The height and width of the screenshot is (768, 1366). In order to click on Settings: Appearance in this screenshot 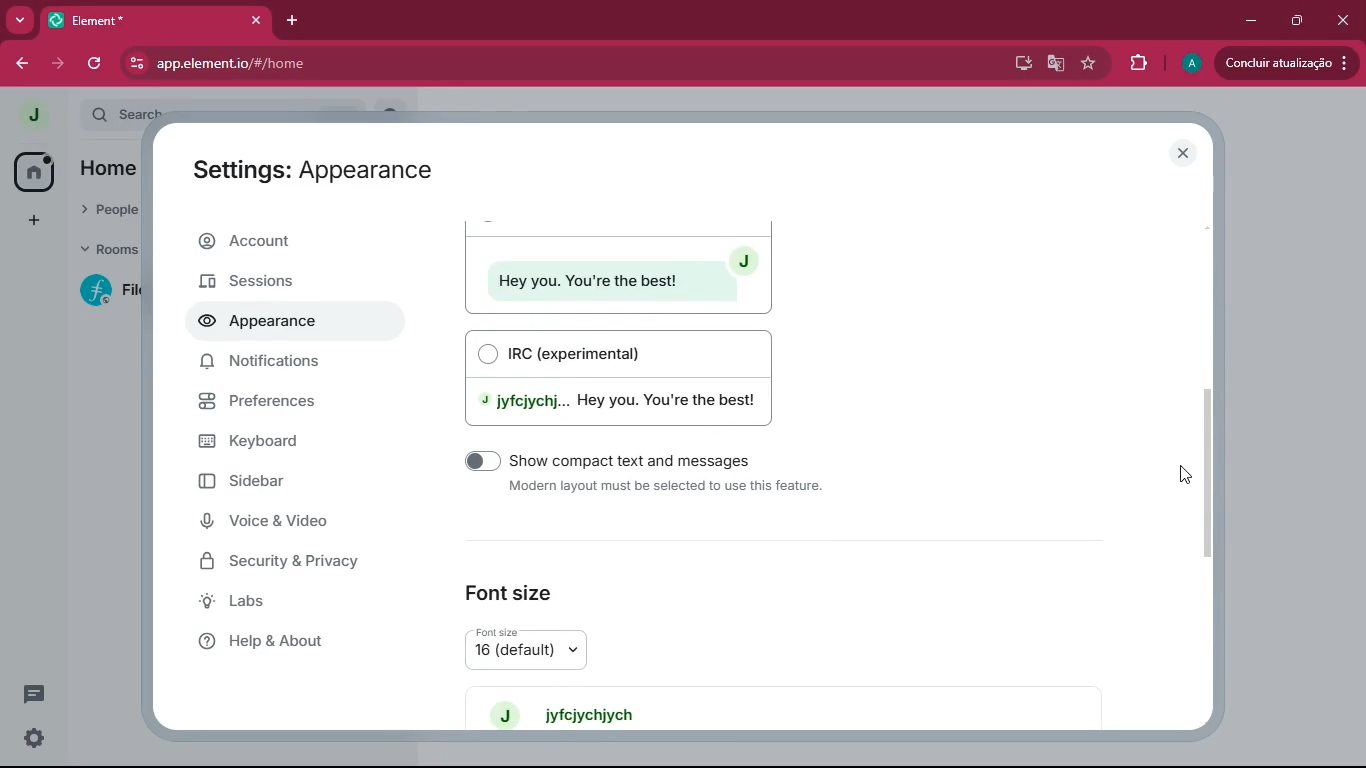, I will do `click(309, 171)`.